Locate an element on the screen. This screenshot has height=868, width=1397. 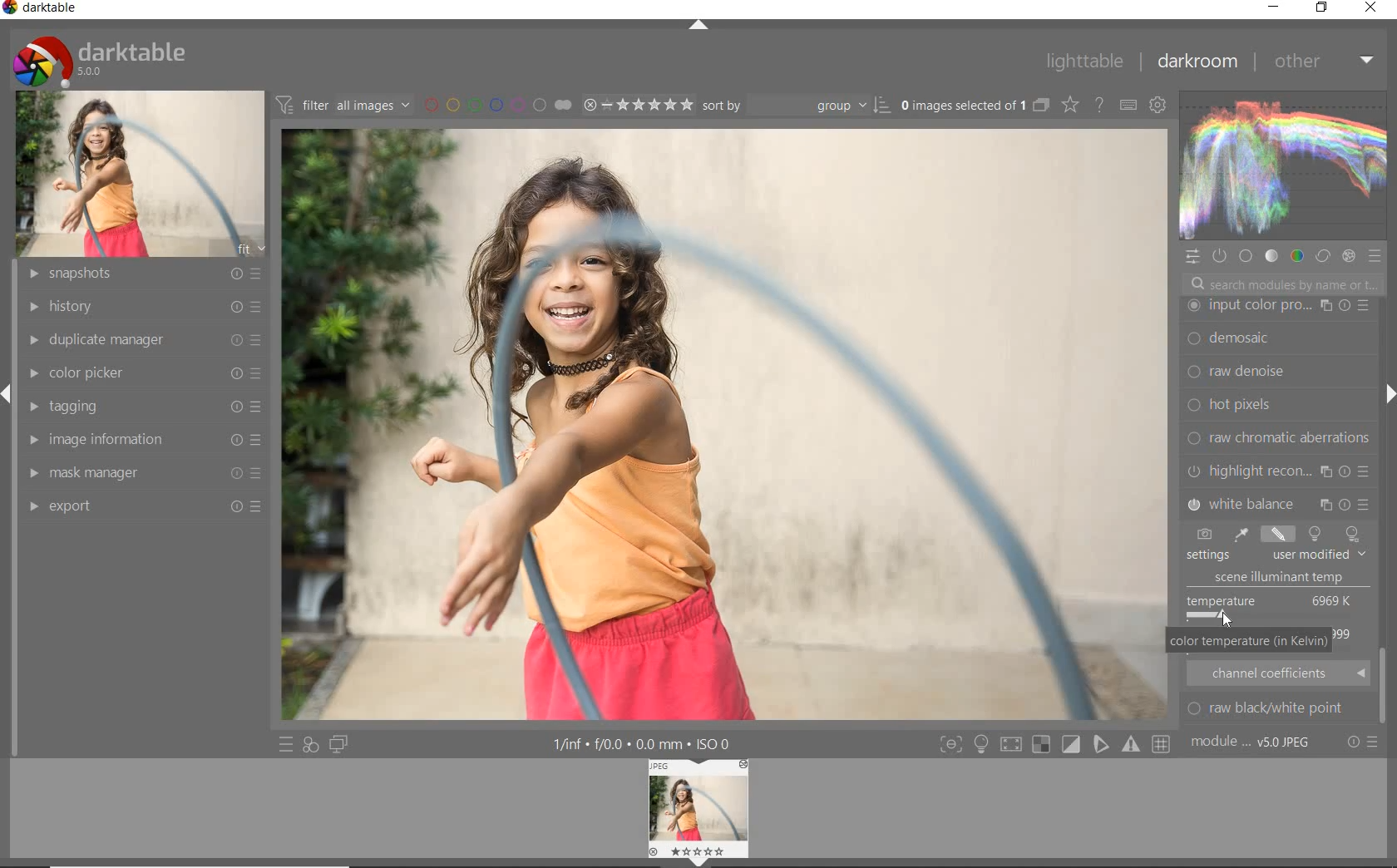
search modules is located at coordinates (1281, 286).